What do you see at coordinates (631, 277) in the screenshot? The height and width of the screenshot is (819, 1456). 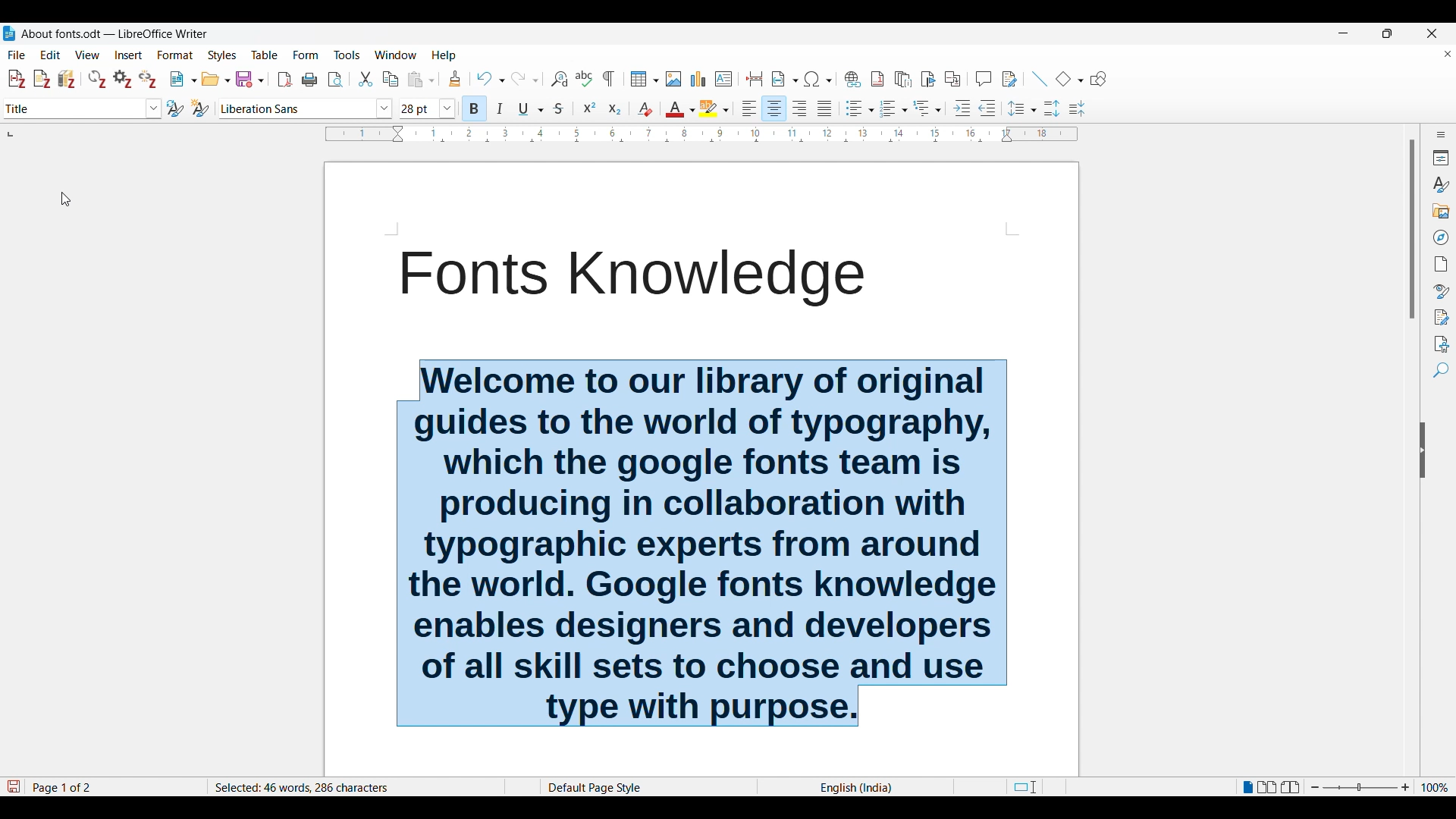 I see `Fonts Knowledge` at bounding box center [631, 277].